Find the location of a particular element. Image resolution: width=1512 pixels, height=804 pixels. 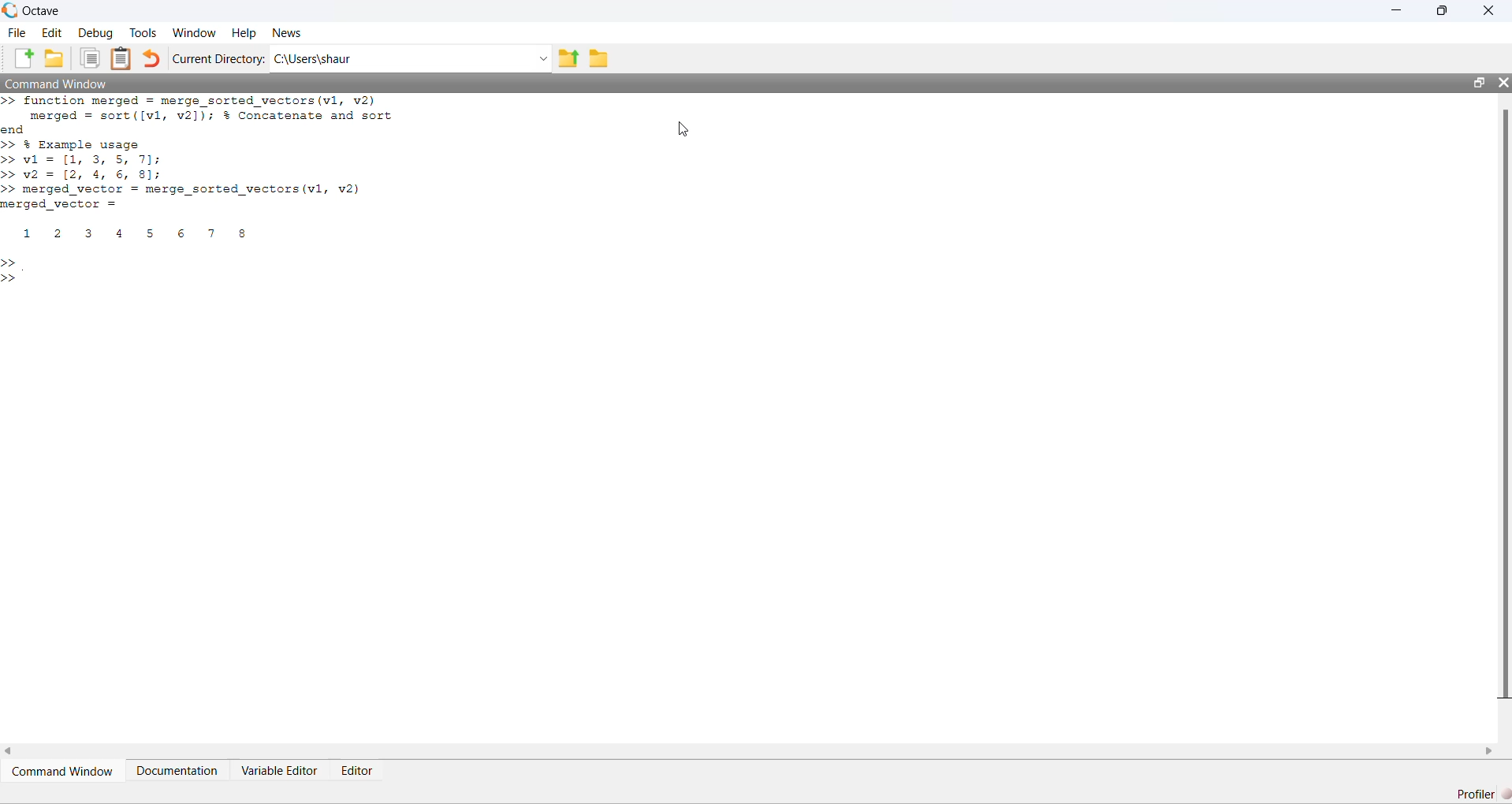

Variable Editor is located at coordinates (280, 769).